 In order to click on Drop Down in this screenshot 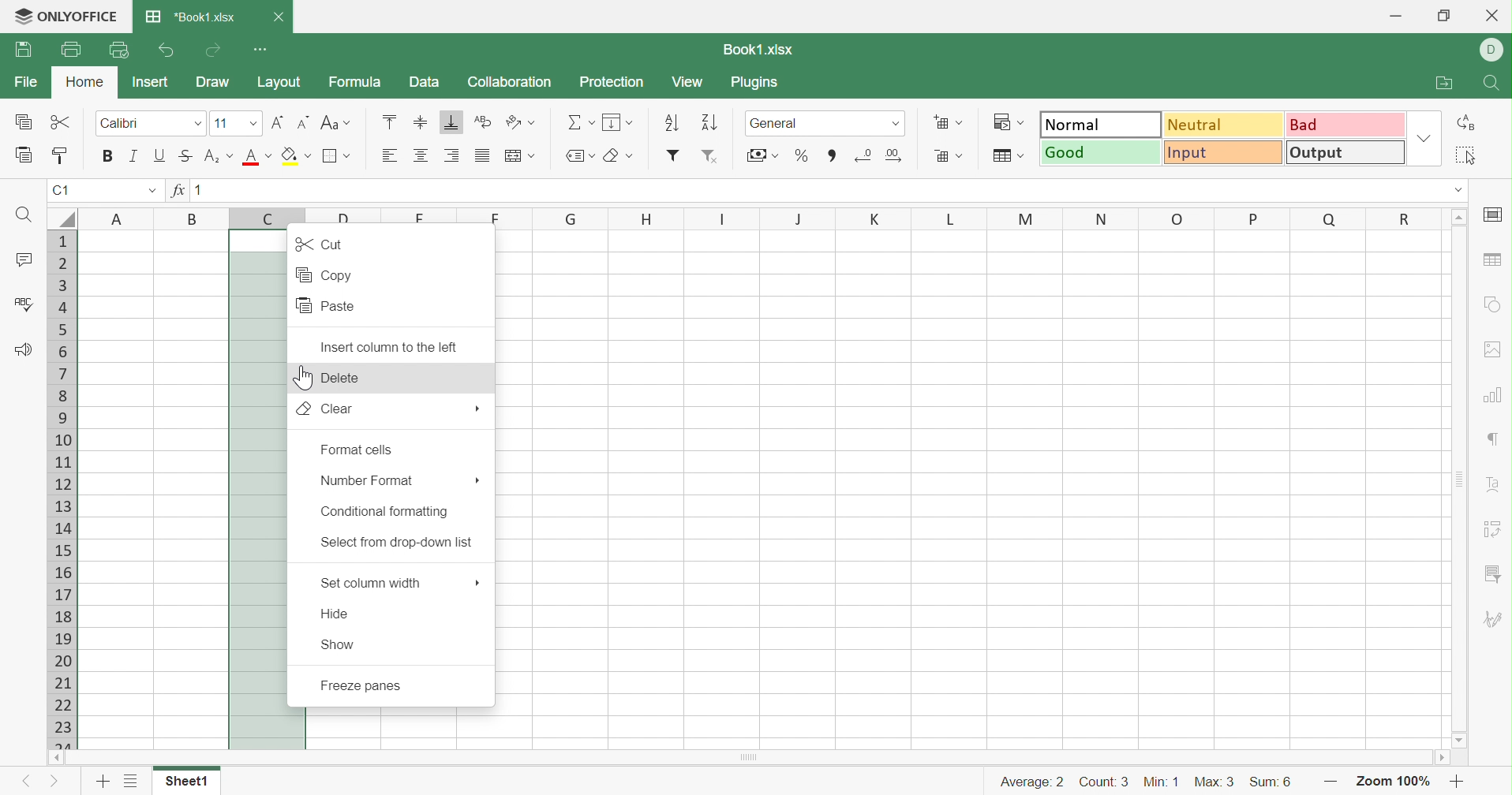, I will do `click(1024, 123)`.